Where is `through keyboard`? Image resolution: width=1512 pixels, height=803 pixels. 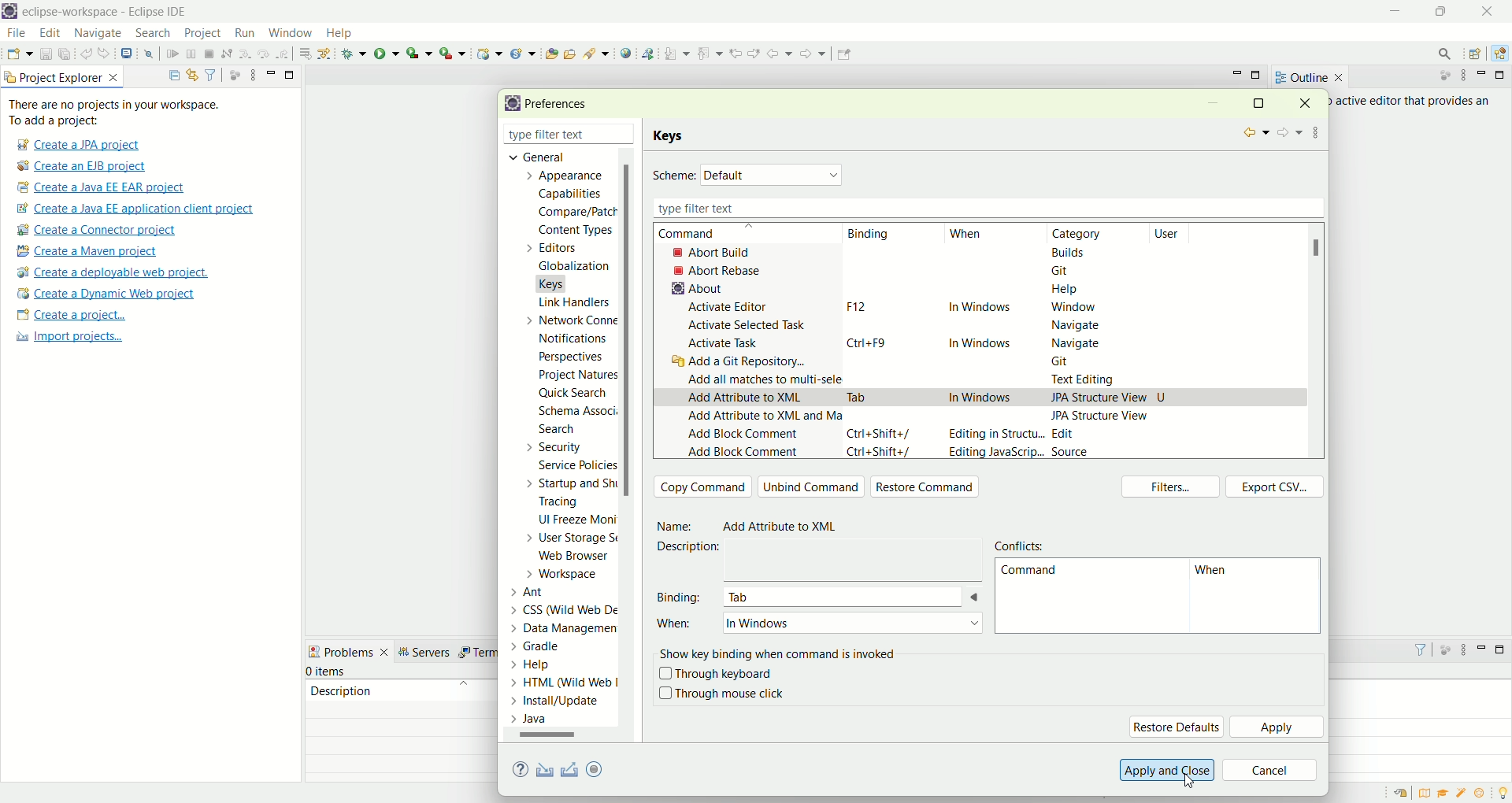
through keyboard is located at coordinates (716, 675).